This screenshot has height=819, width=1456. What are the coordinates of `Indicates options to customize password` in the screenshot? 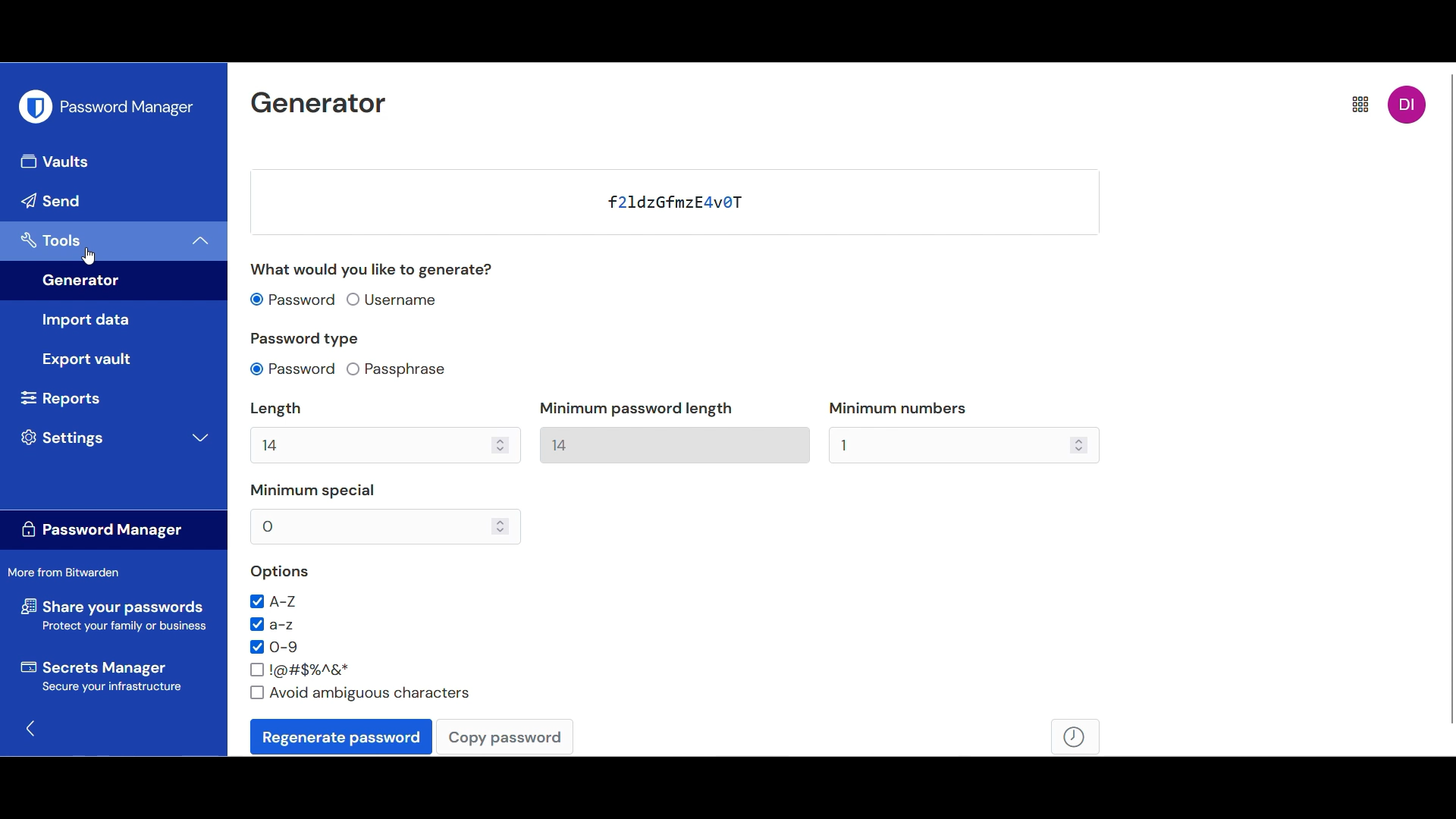 It's located at (281, 572).